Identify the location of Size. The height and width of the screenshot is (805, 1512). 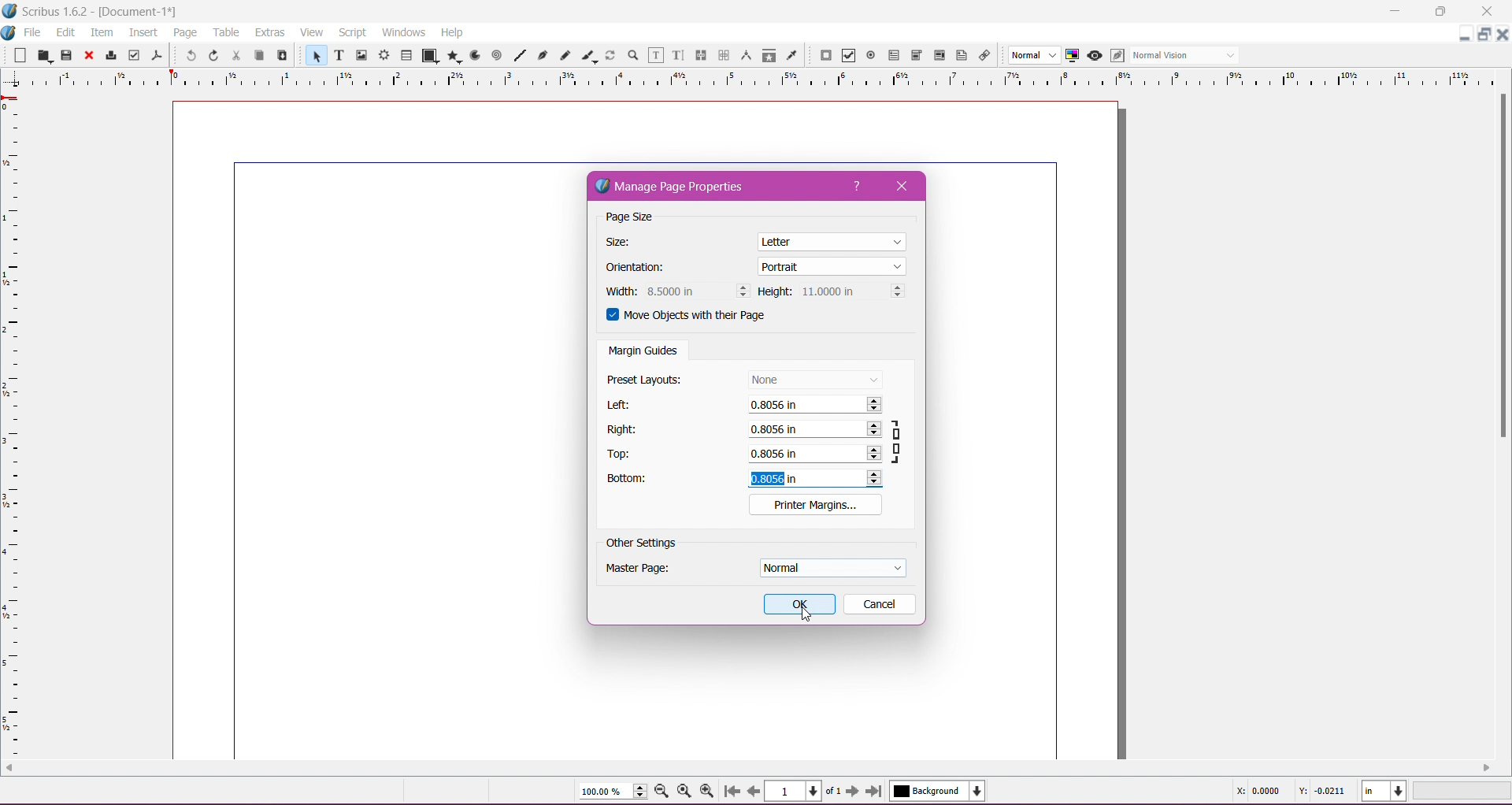
(625, 243).